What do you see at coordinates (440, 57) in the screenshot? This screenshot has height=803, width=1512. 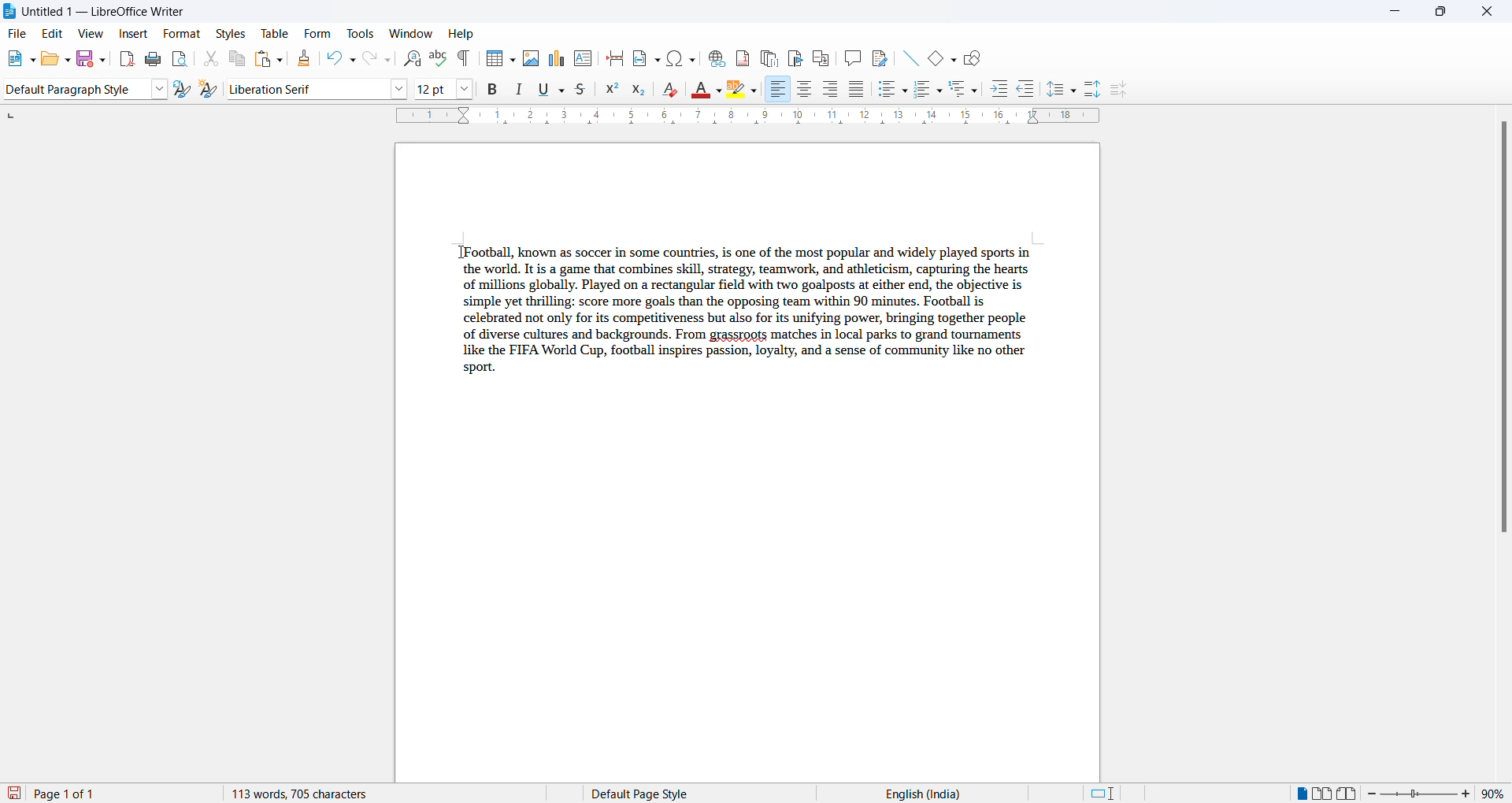 I see `spellings` at bounding box center [440, 57].